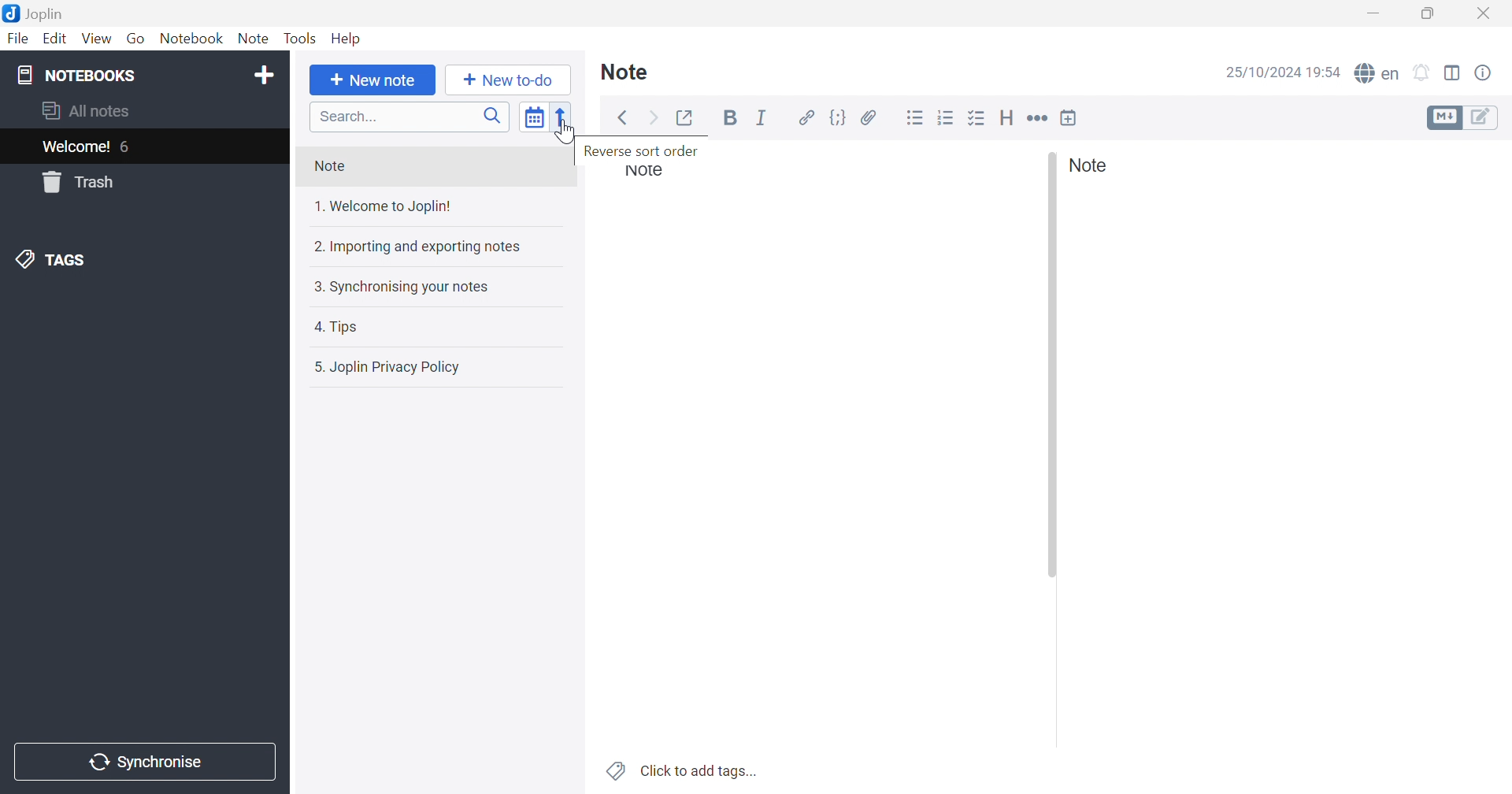 The height and width of the screenshot is (794, 1512). Describe the element at coordinates (1262, 73) in the screenshot. I see `25/10/2024` at that location.